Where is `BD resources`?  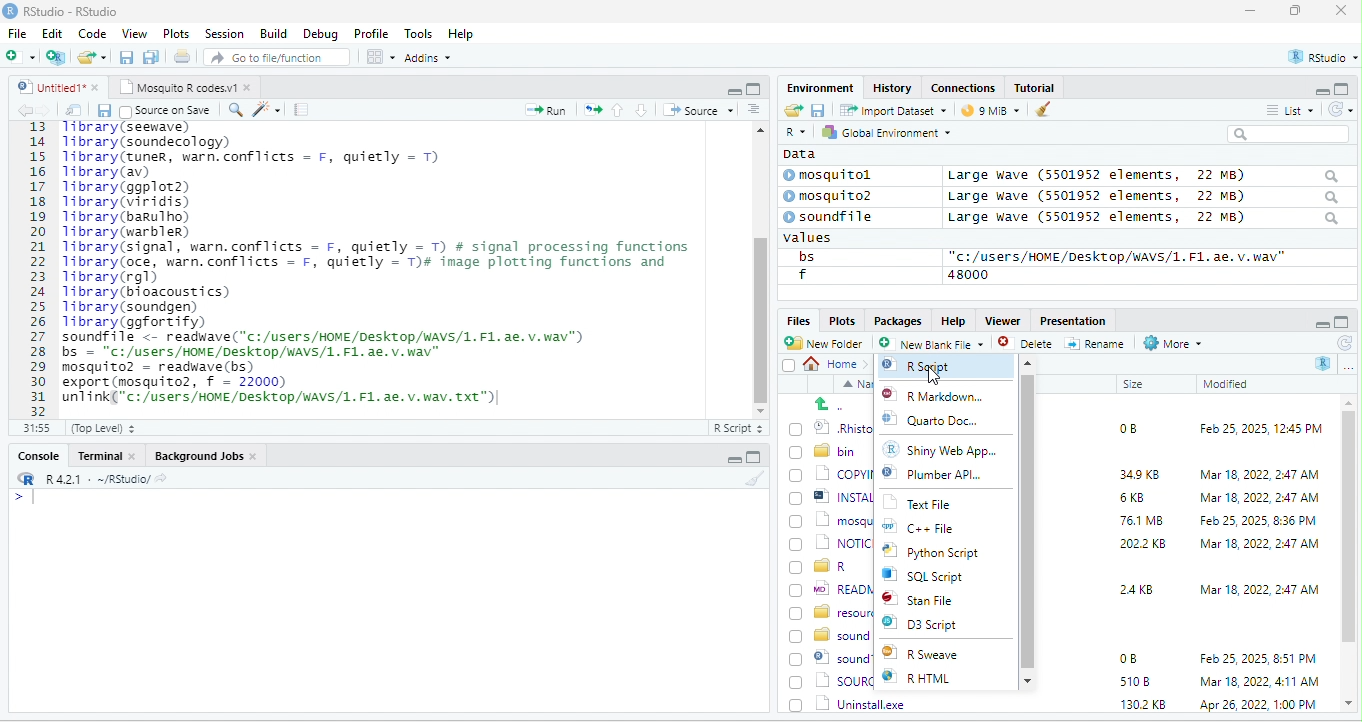 BD resources is located at coordinates (830, 610).